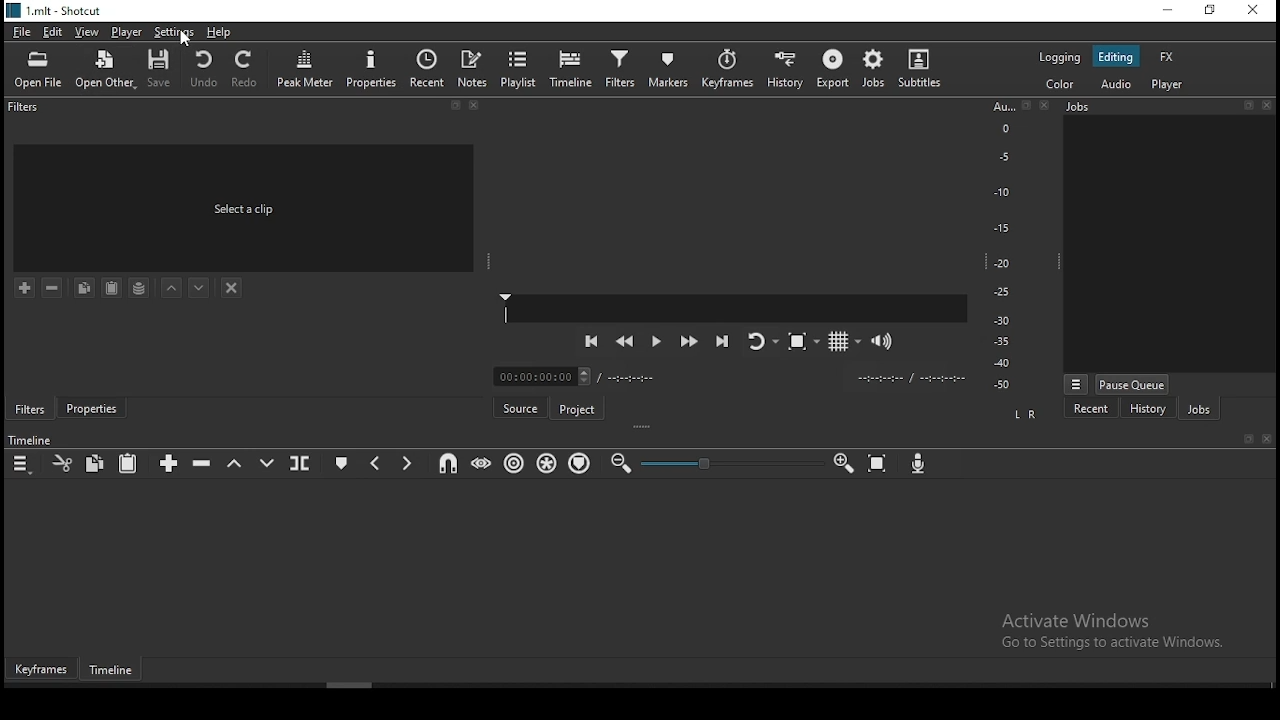 This screenshot has width=1280, height=720. What do you see at coordinates (547, 464) in the screenshot?
I see `ripple all tracks` at bounding box center [547, 464].